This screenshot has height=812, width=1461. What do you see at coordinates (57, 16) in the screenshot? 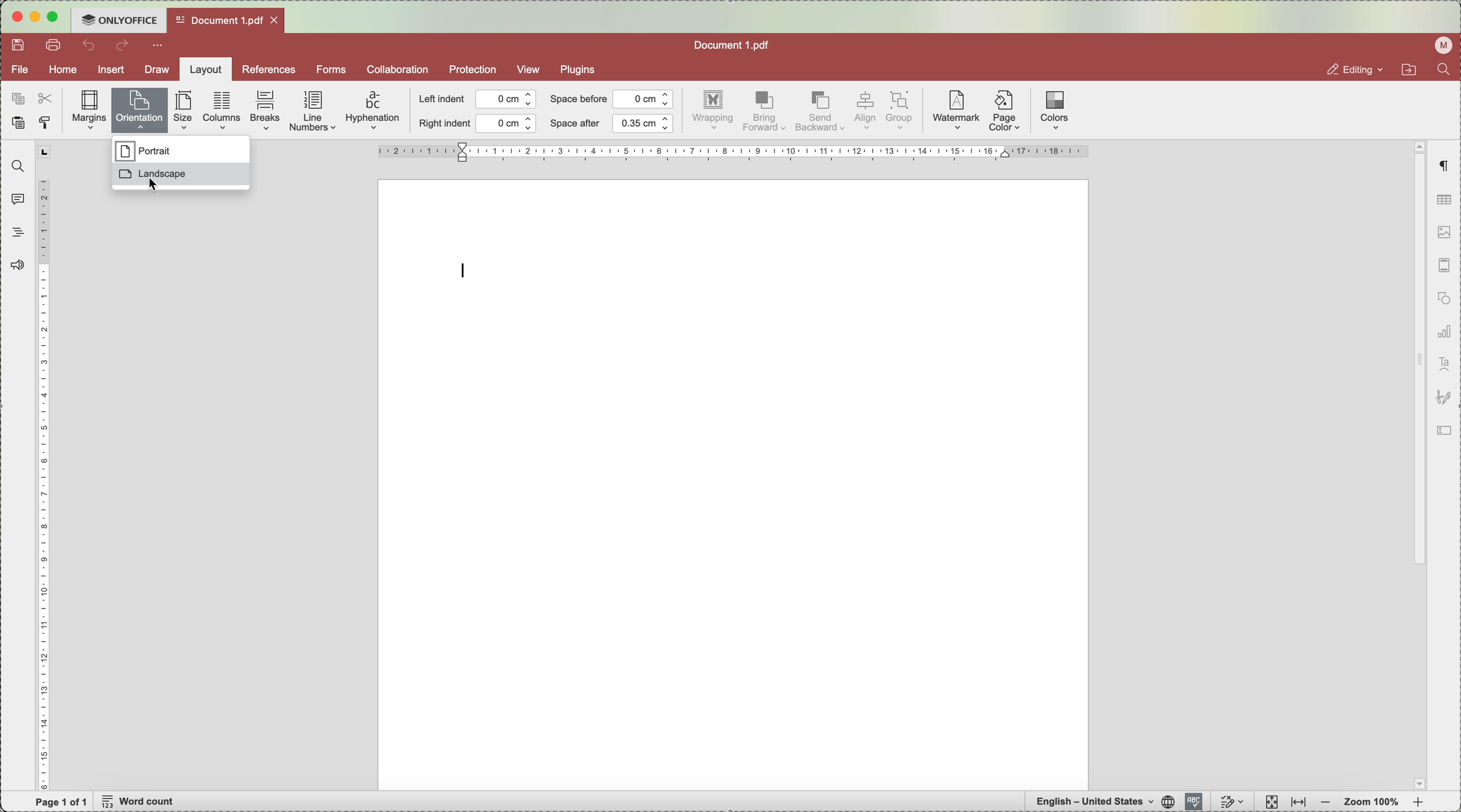
I see `maximize` at bounding box center [57, 16].